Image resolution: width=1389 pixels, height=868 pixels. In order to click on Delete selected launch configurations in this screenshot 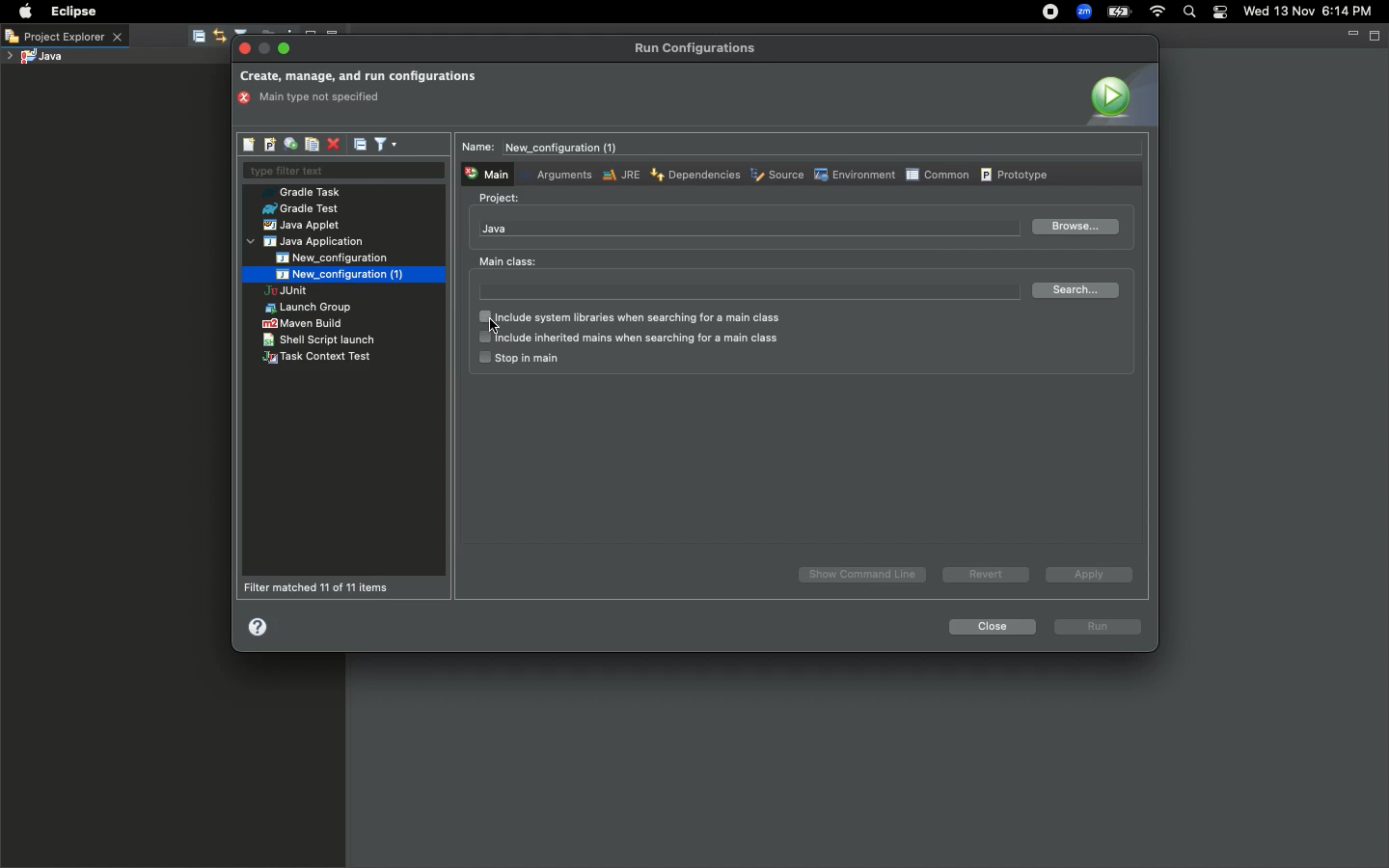, I will do `click(333, 146)`.